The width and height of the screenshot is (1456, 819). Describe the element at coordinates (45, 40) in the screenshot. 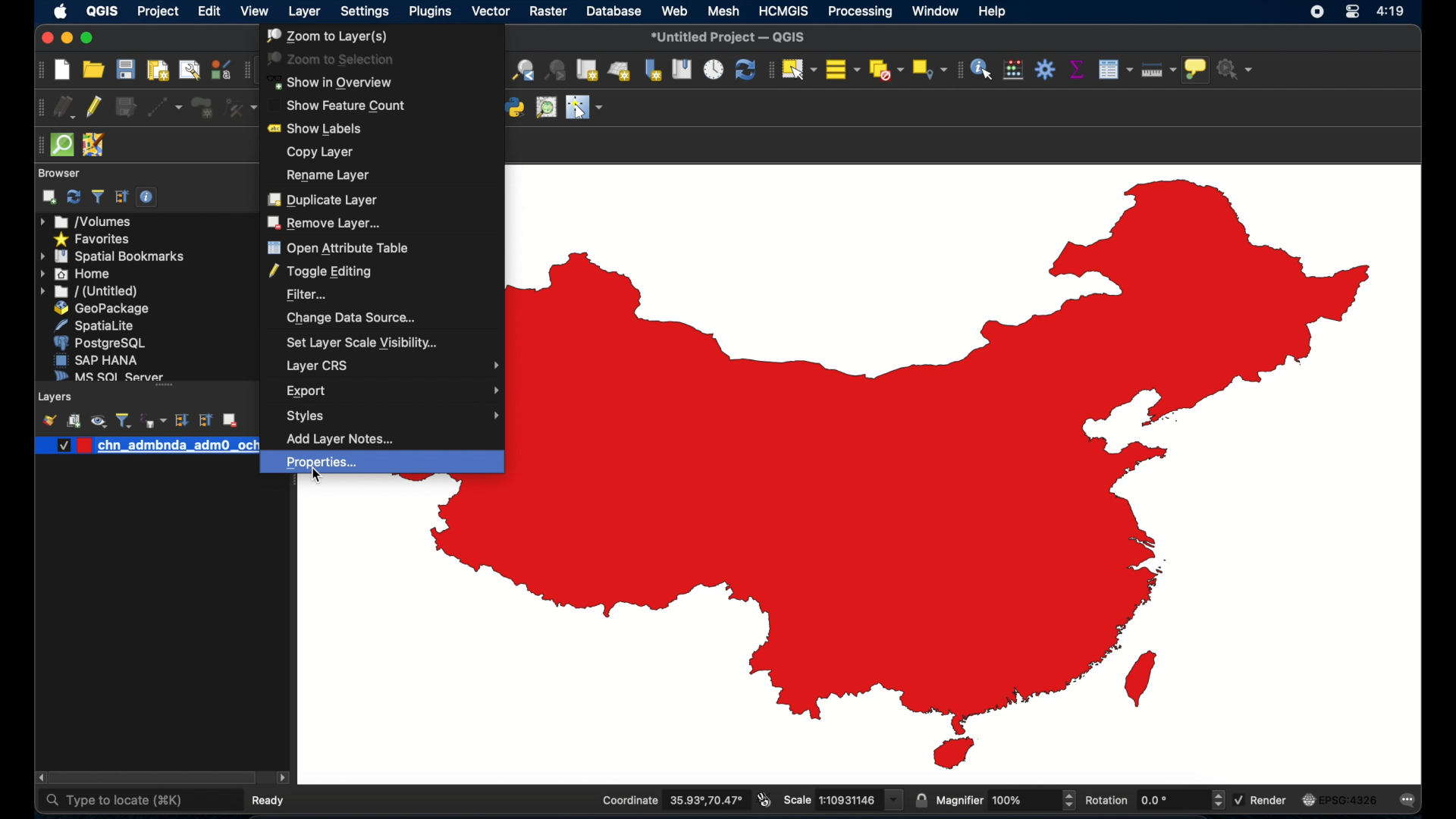

I see `close` at that location.